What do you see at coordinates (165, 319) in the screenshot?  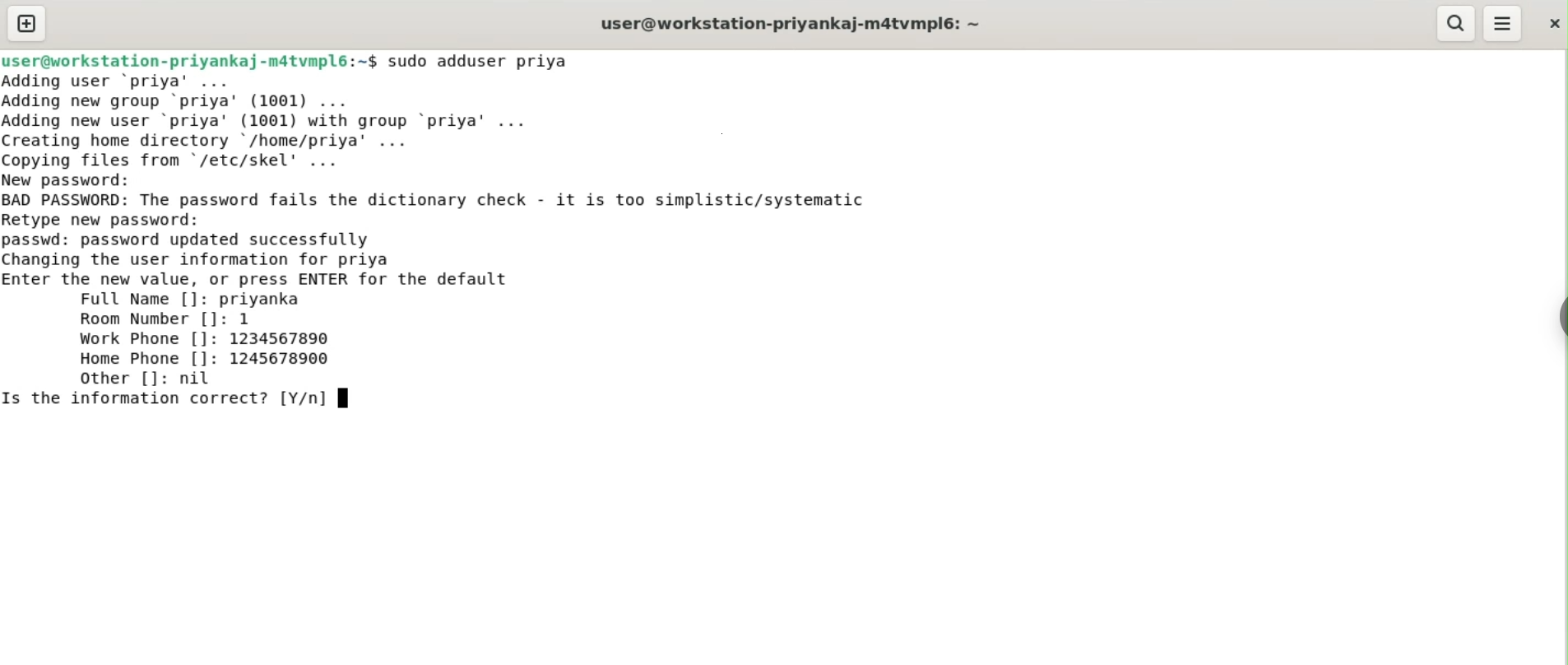 I see `Room Number []: 1` at bounding box center [165, 319].